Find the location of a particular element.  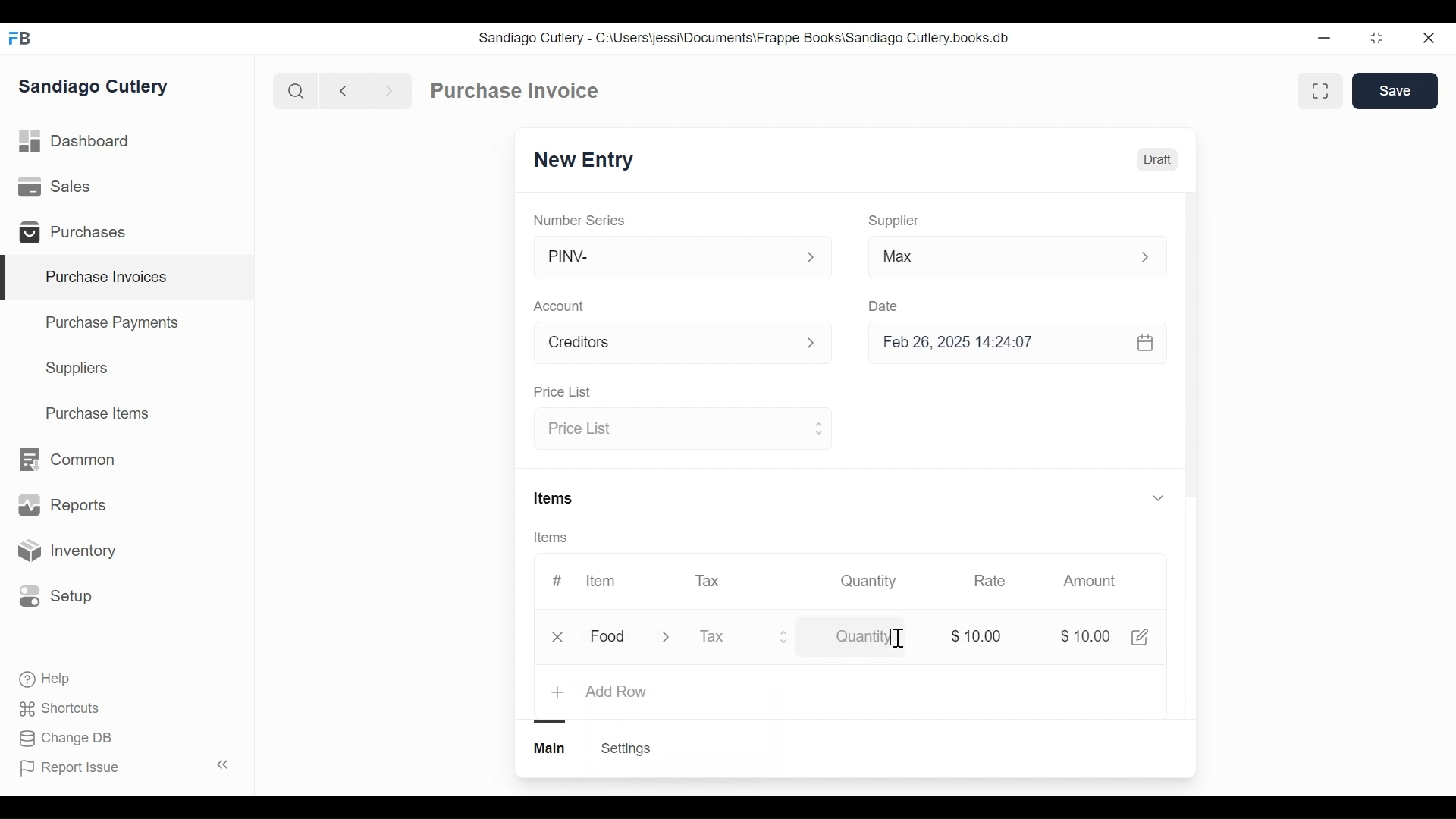

Sandiago Cutlery - C:\Users\jessi\Documents\Frappe Books\Sandiago Cutlery.books.db is located at coordinates (745, 38).